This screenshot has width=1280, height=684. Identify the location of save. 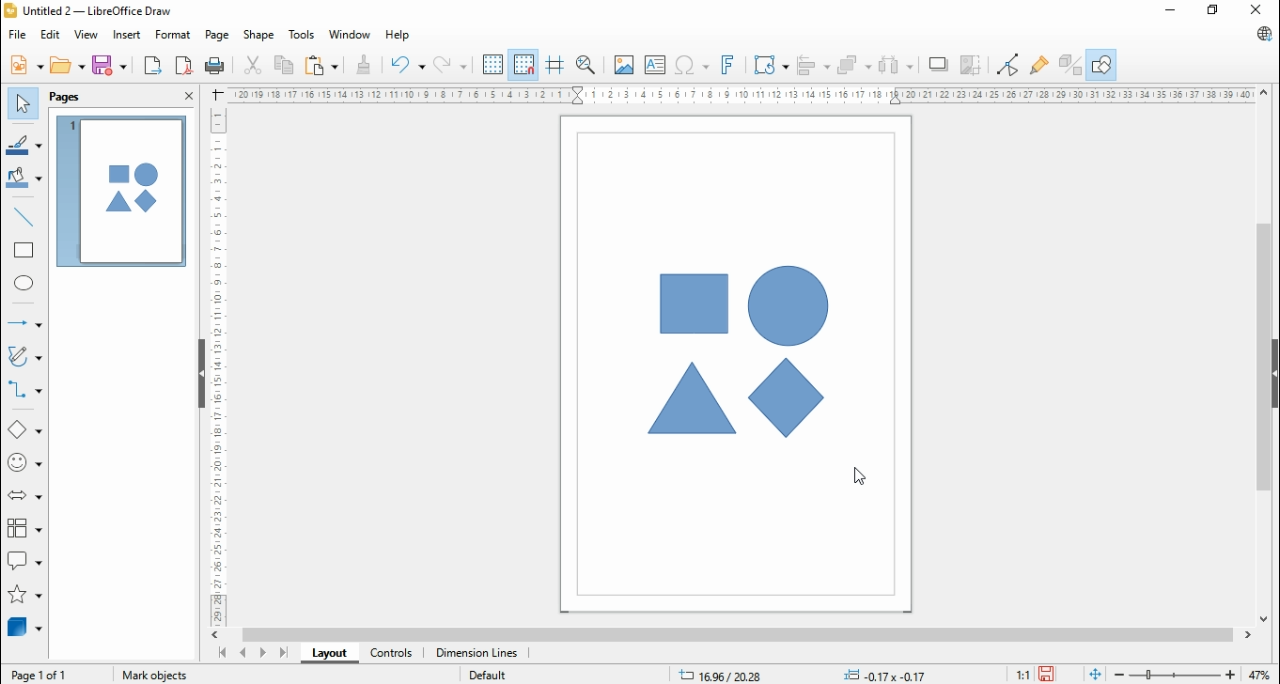
(1048, 674).